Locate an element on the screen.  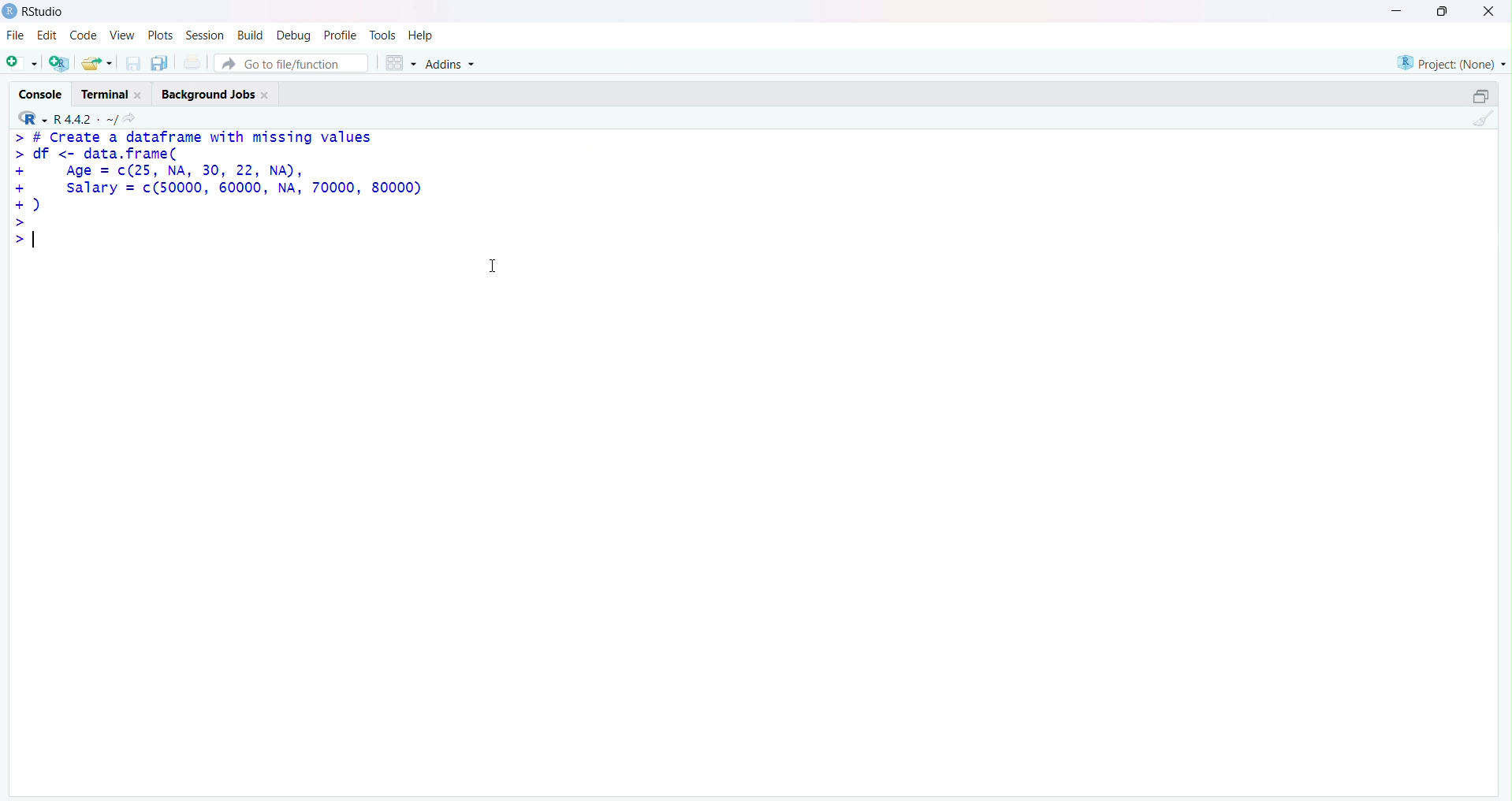
 is located at coordinates (289, 60).